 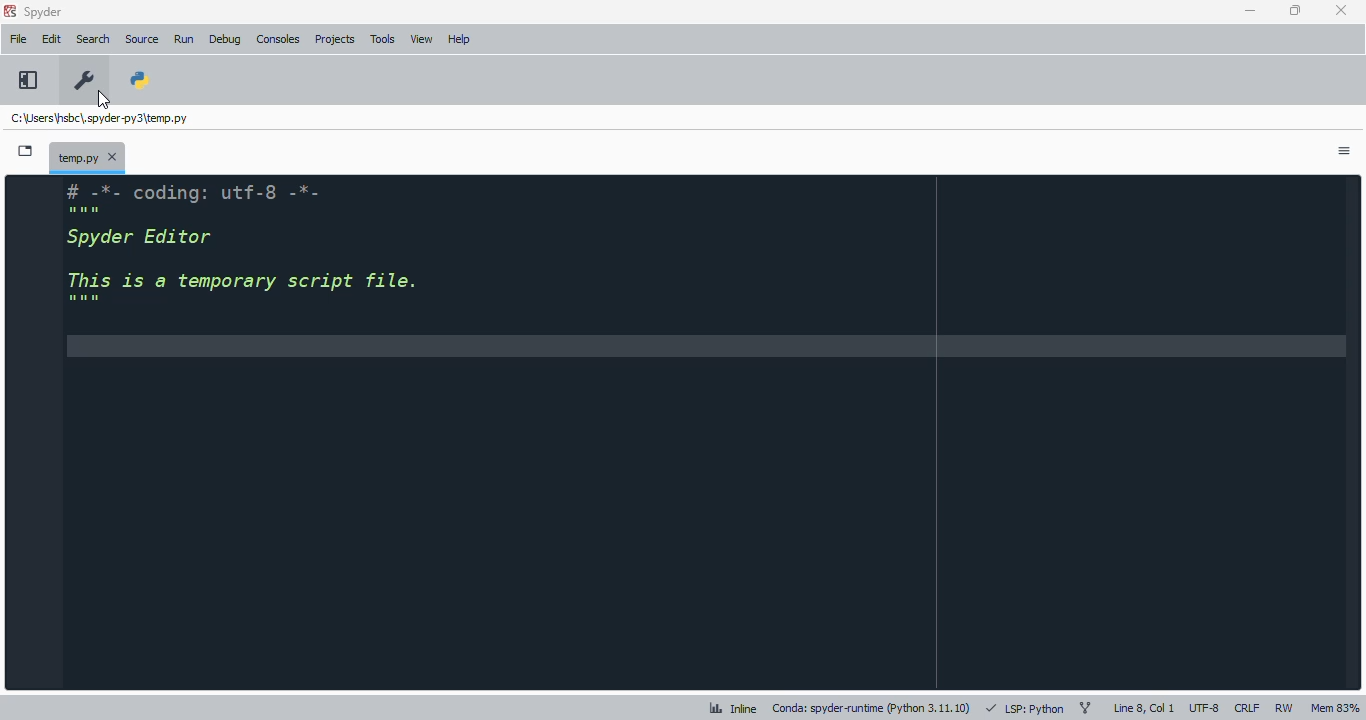 What do you see at coordinates (458, 40) in the screenshot?
I see `help` at bounding box center [458, 40].